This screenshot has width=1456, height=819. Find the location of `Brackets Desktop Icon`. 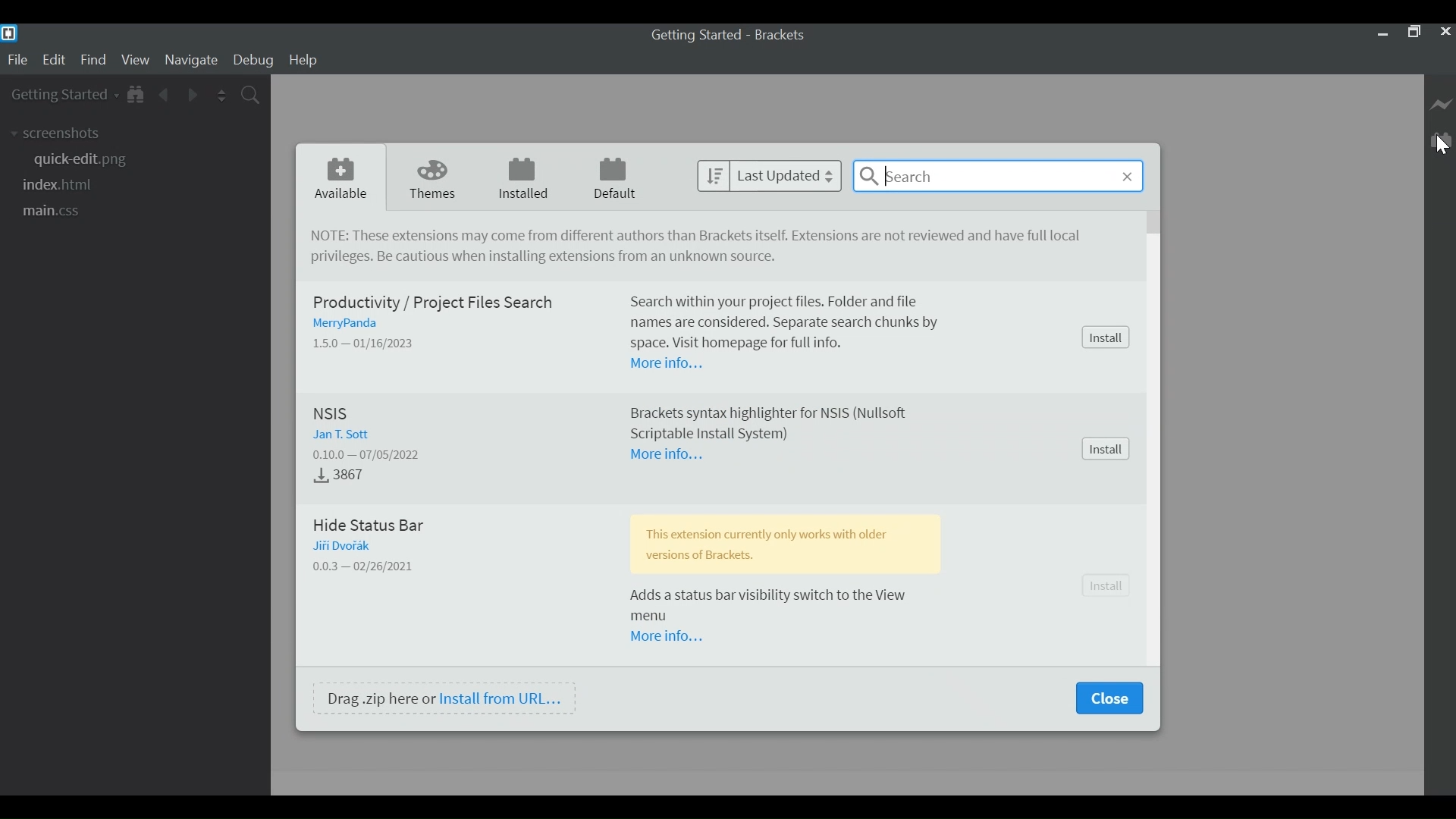

Brackets Desktop Icon is located at coordinates (9, 33).